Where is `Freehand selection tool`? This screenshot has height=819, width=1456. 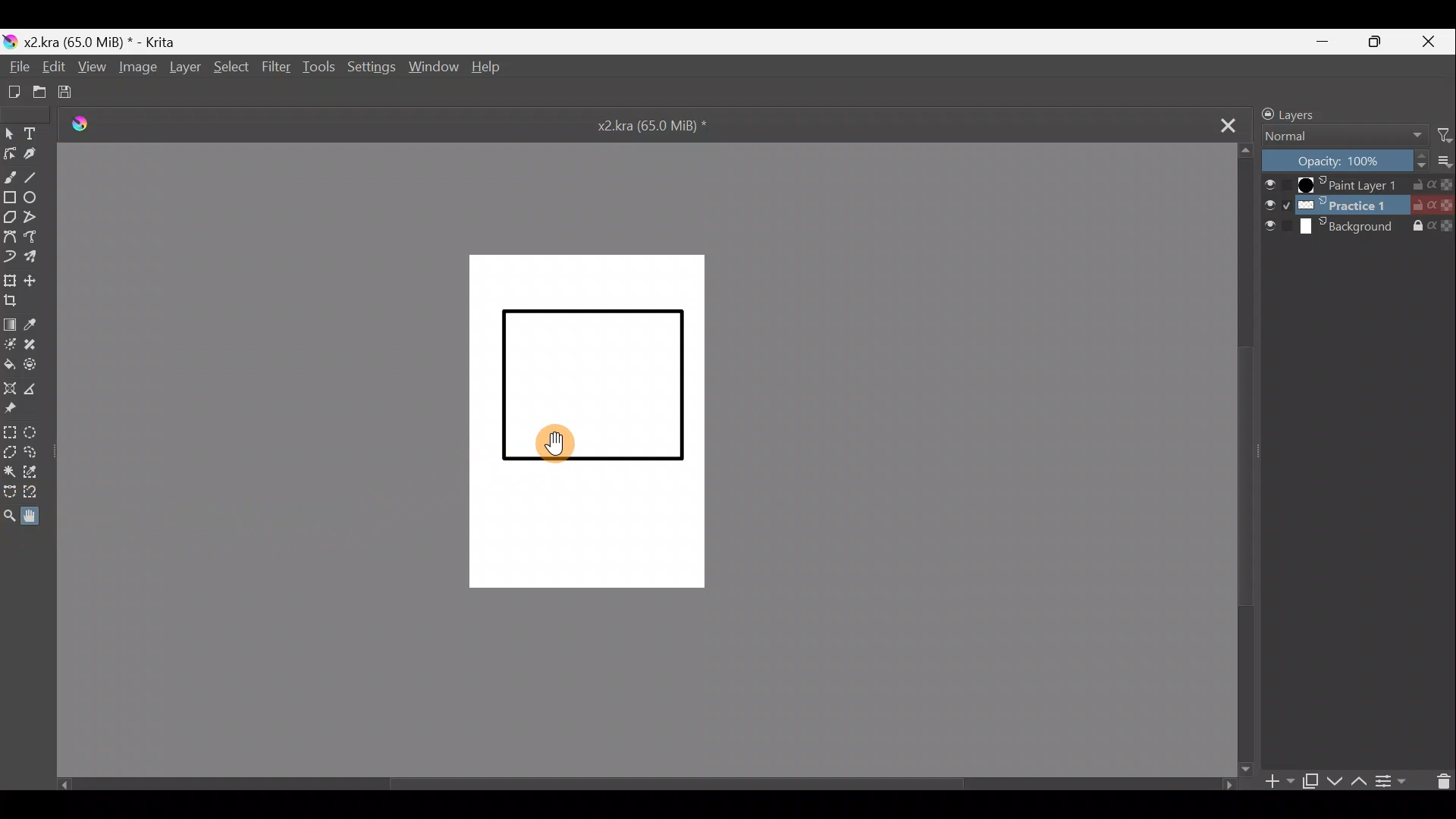
Freehand selection tool is located at coordinates (33, 454).